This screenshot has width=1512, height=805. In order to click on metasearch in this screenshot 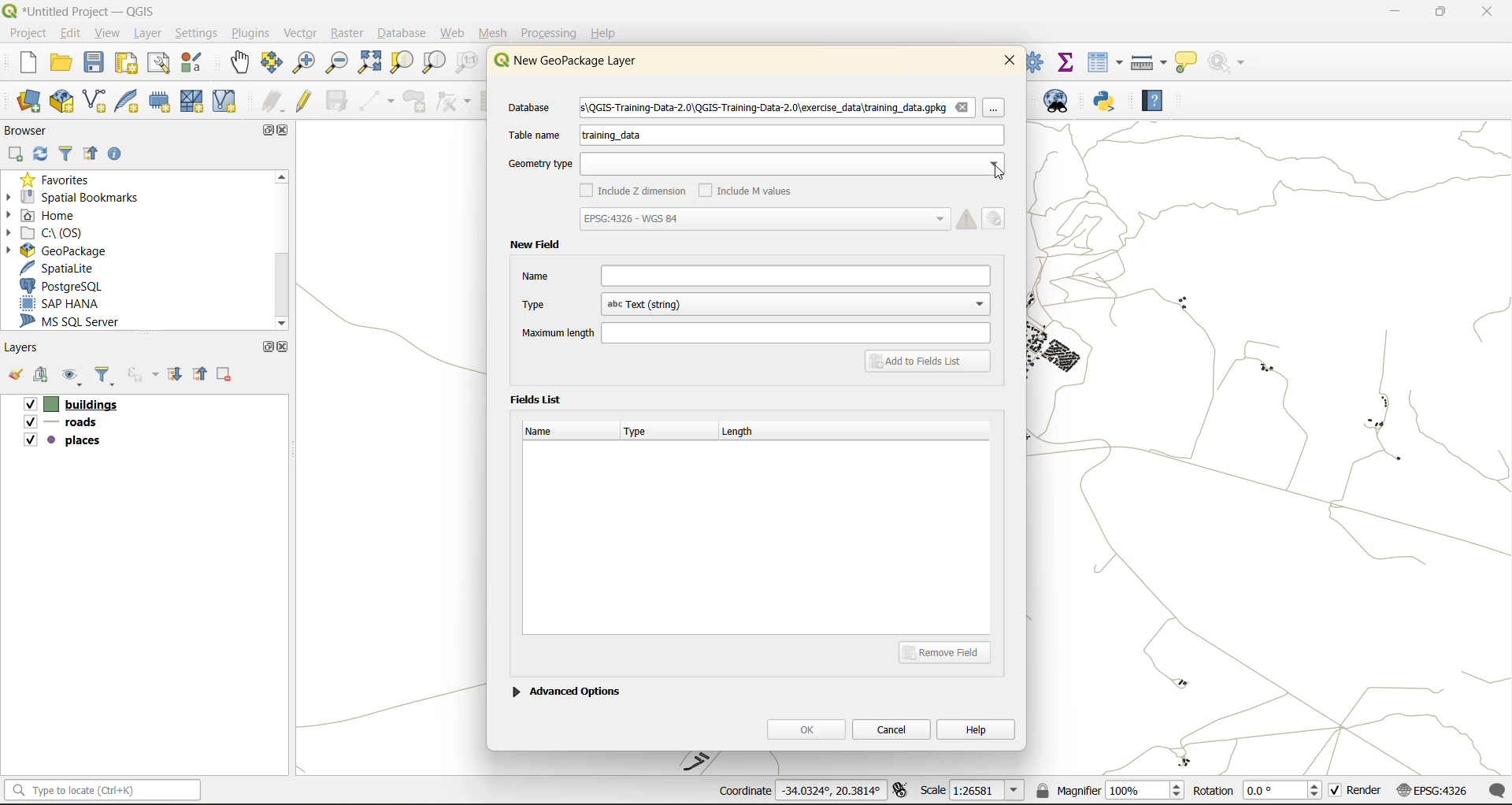, I will do `click(1063, 104)`.